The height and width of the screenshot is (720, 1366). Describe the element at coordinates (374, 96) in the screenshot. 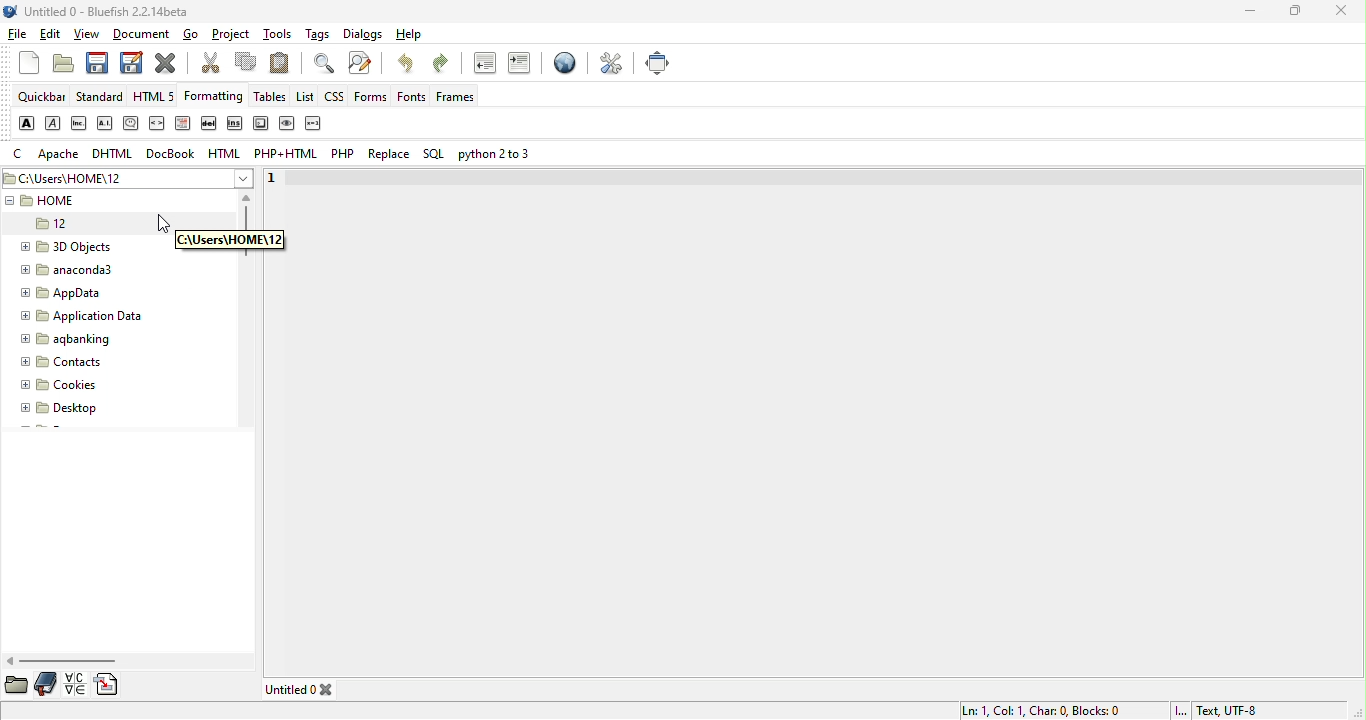

I see `forms` at that location.